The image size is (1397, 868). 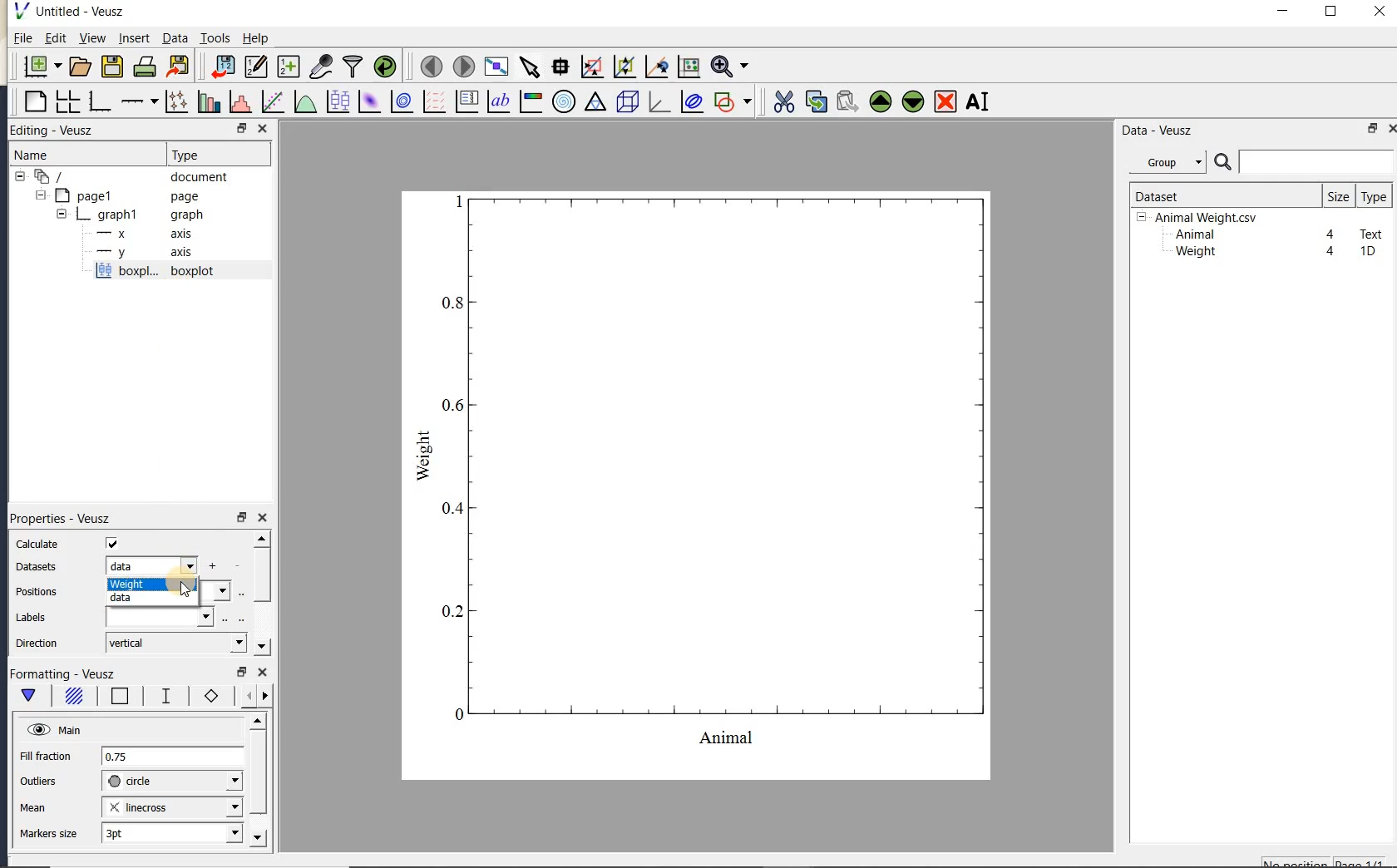 I want to click on 3d graph, so click(x=657, y=101).